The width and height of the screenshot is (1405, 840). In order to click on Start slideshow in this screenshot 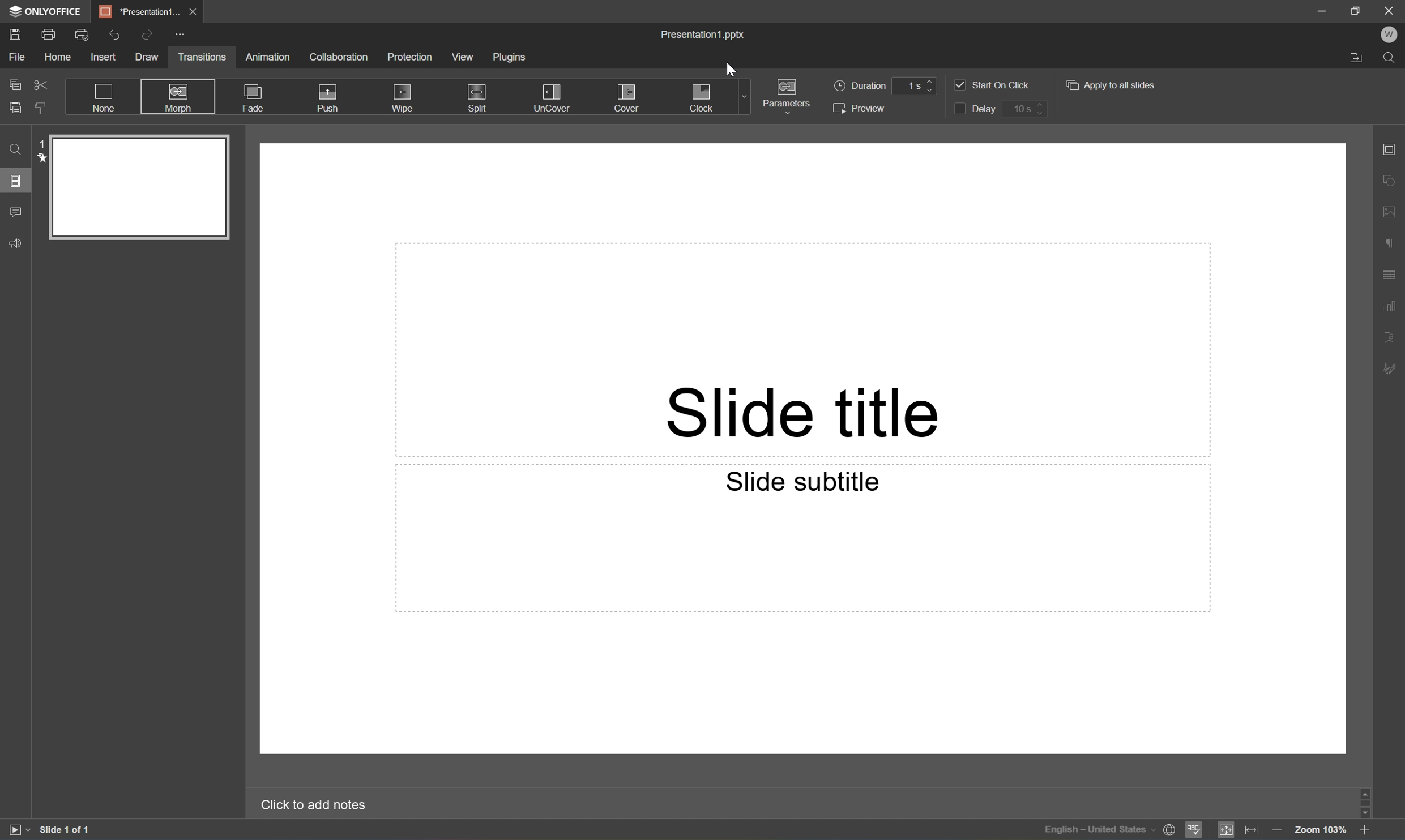, I will do `click(15, 830)`.